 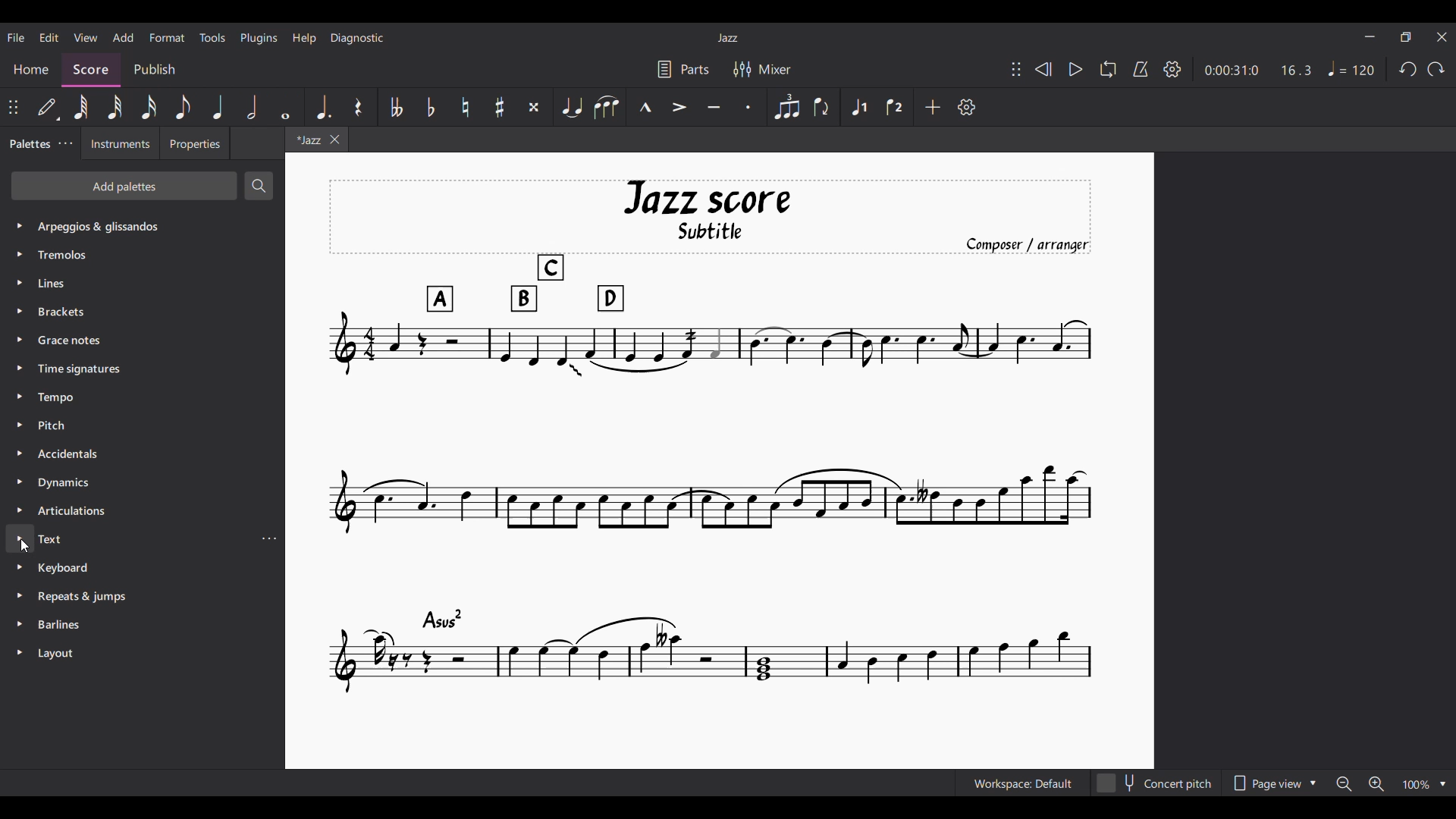 I want to click on , so click(x=58, y=653).